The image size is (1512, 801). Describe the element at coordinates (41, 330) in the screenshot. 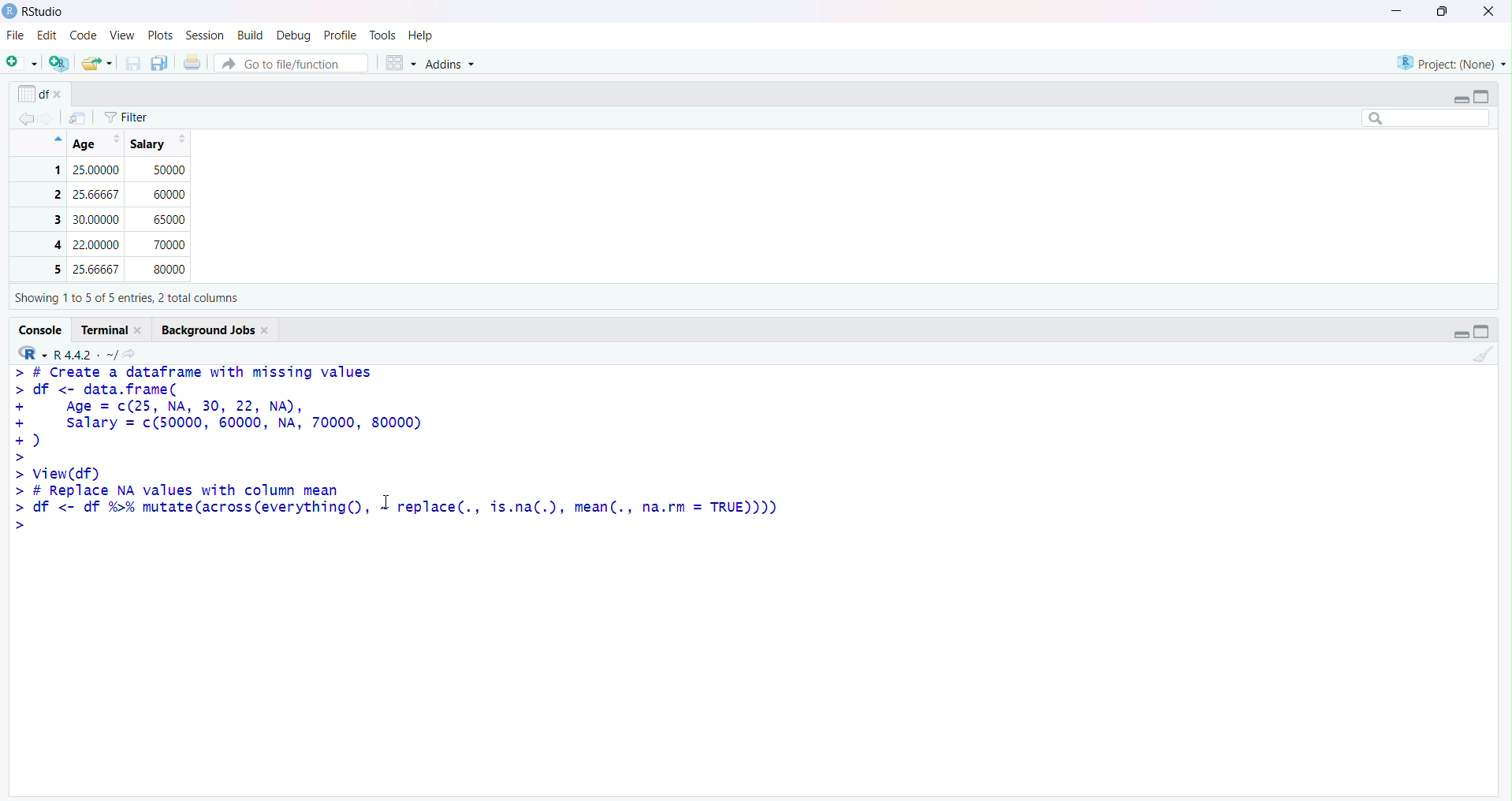

I see `Console` at that location.